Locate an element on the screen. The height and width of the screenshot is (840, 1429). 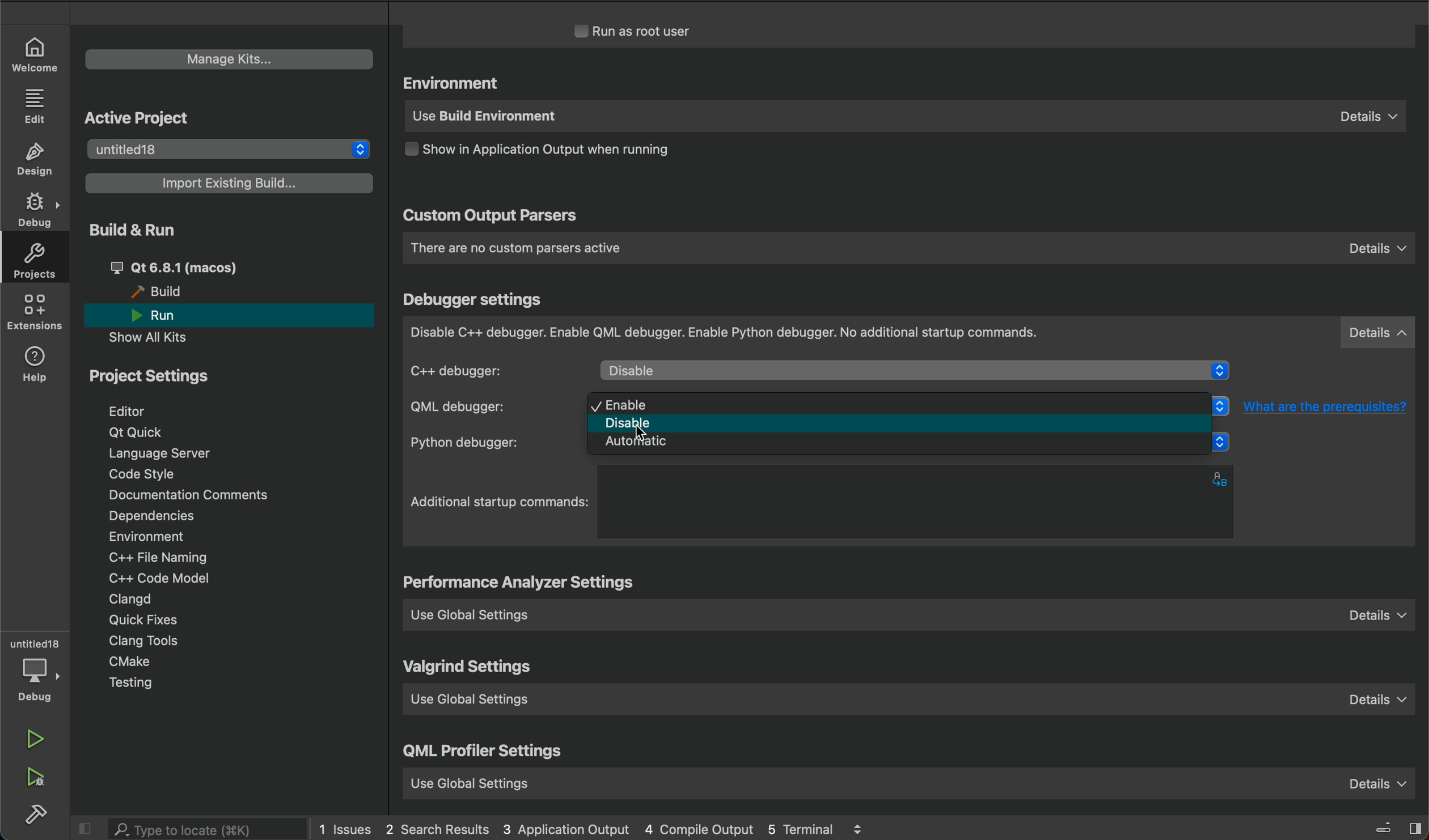
tools is located at coordinates (161, 642).